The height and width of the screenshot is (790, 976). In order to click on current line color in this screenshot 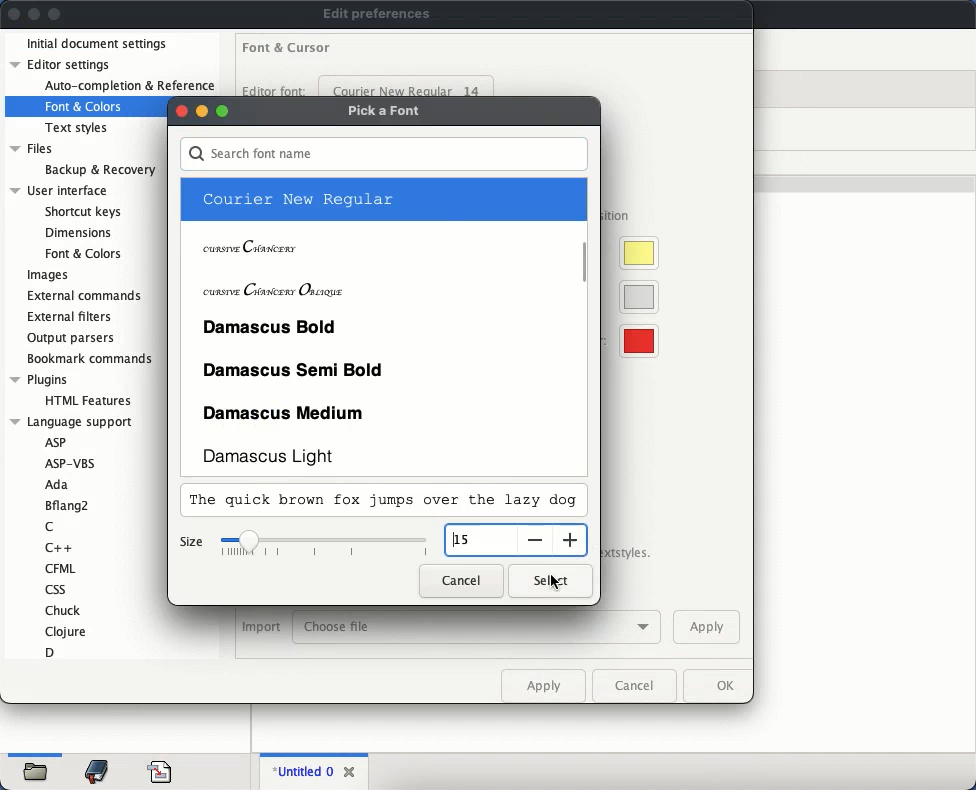, I will do `click(635, 297)`.